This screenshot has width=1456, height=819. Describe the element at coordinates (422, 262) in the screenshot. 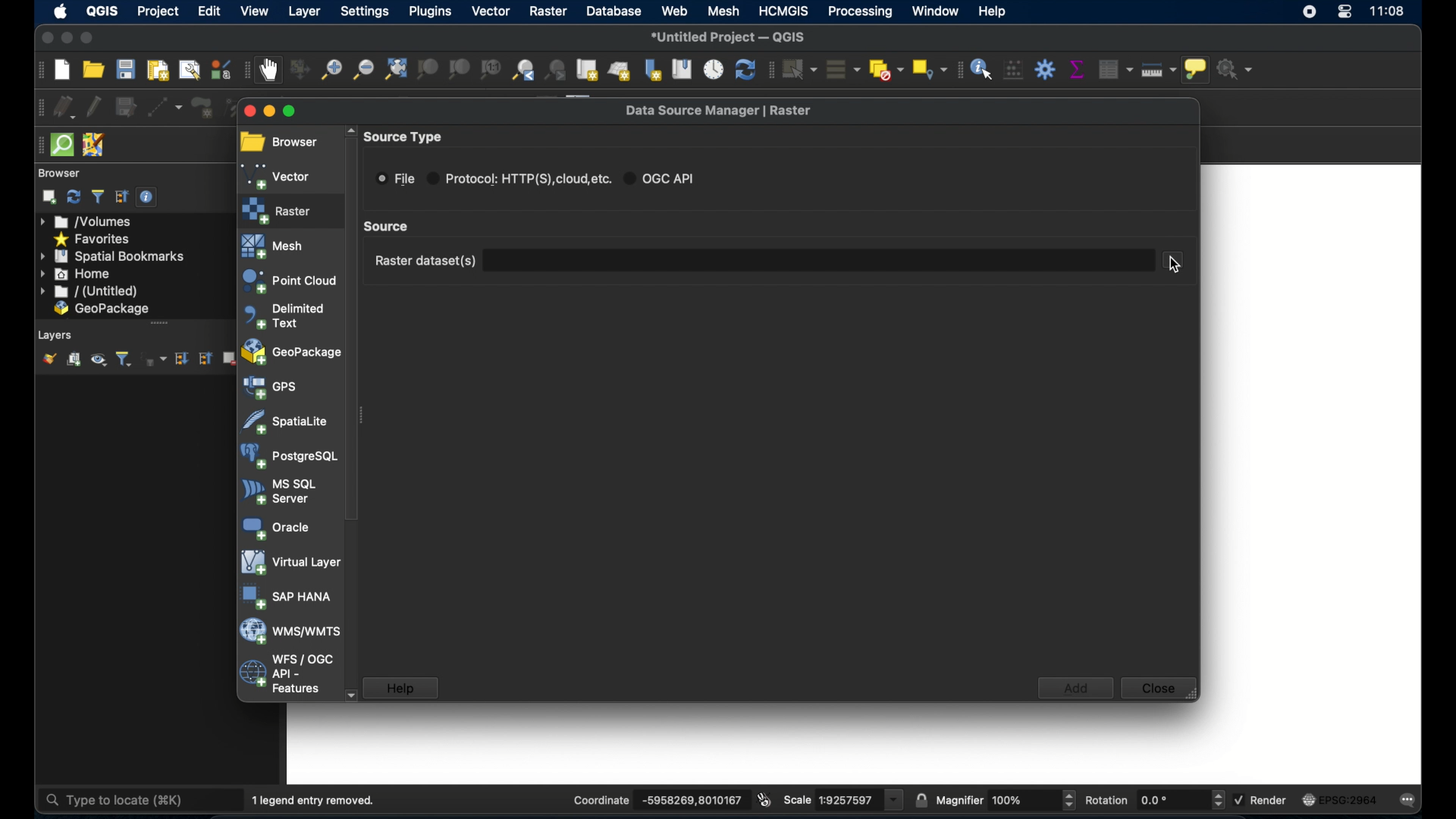

I see `raster dataset` at that location.